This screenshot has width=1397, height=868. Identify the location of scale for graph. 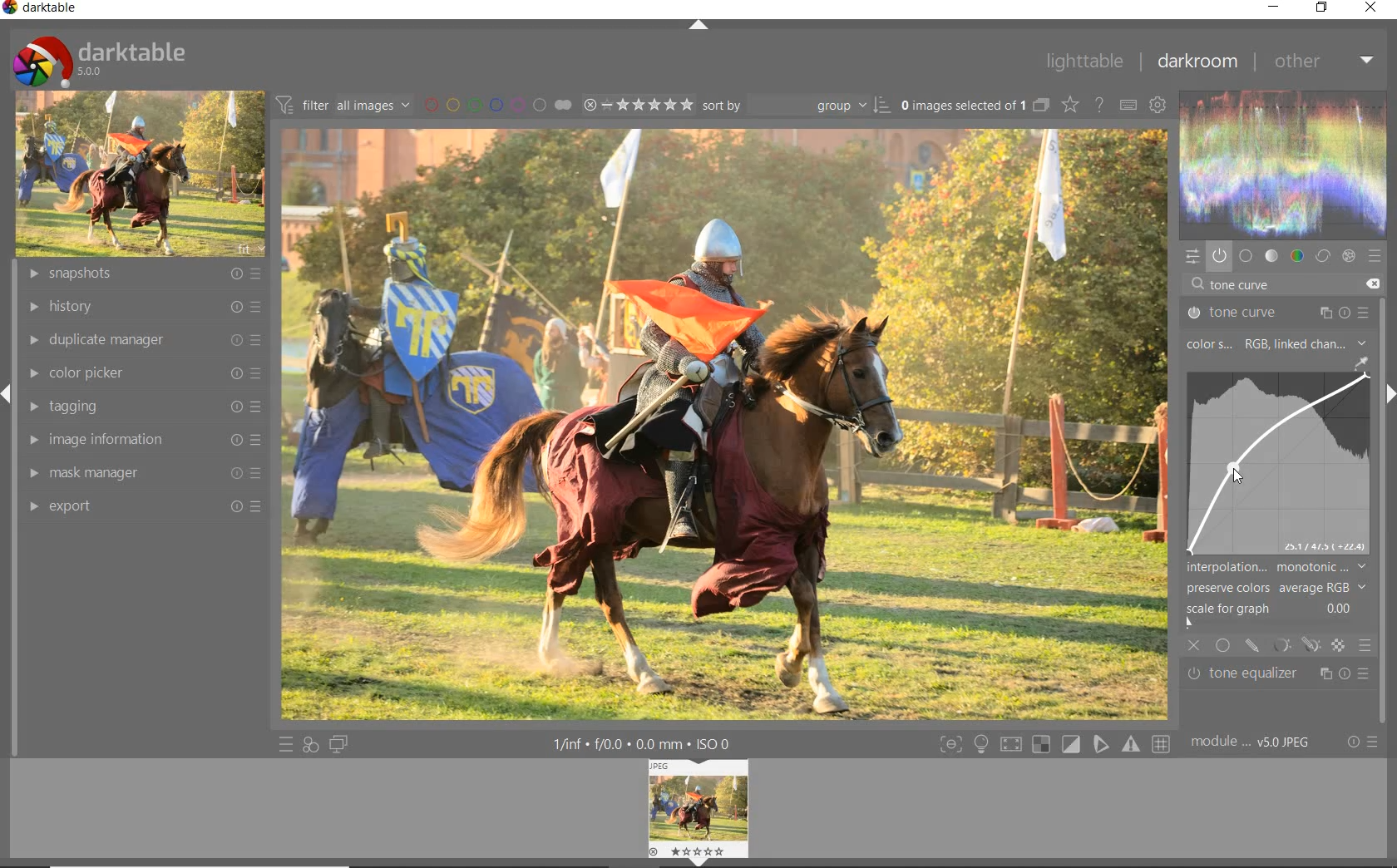
(1273, 609).